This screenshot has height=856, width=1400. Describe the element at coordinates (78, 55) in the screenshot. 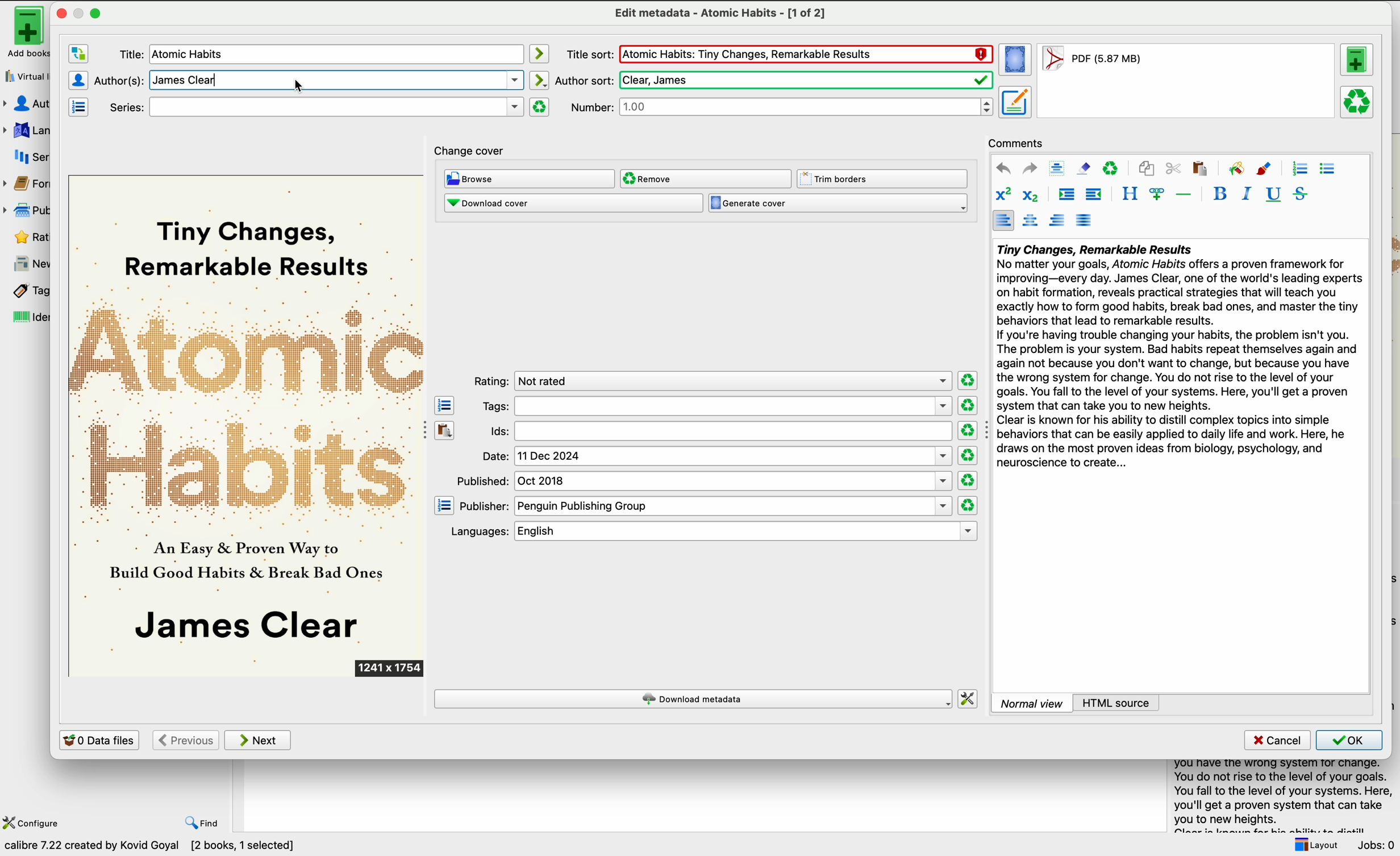

I see `swap the author and title` at that location.